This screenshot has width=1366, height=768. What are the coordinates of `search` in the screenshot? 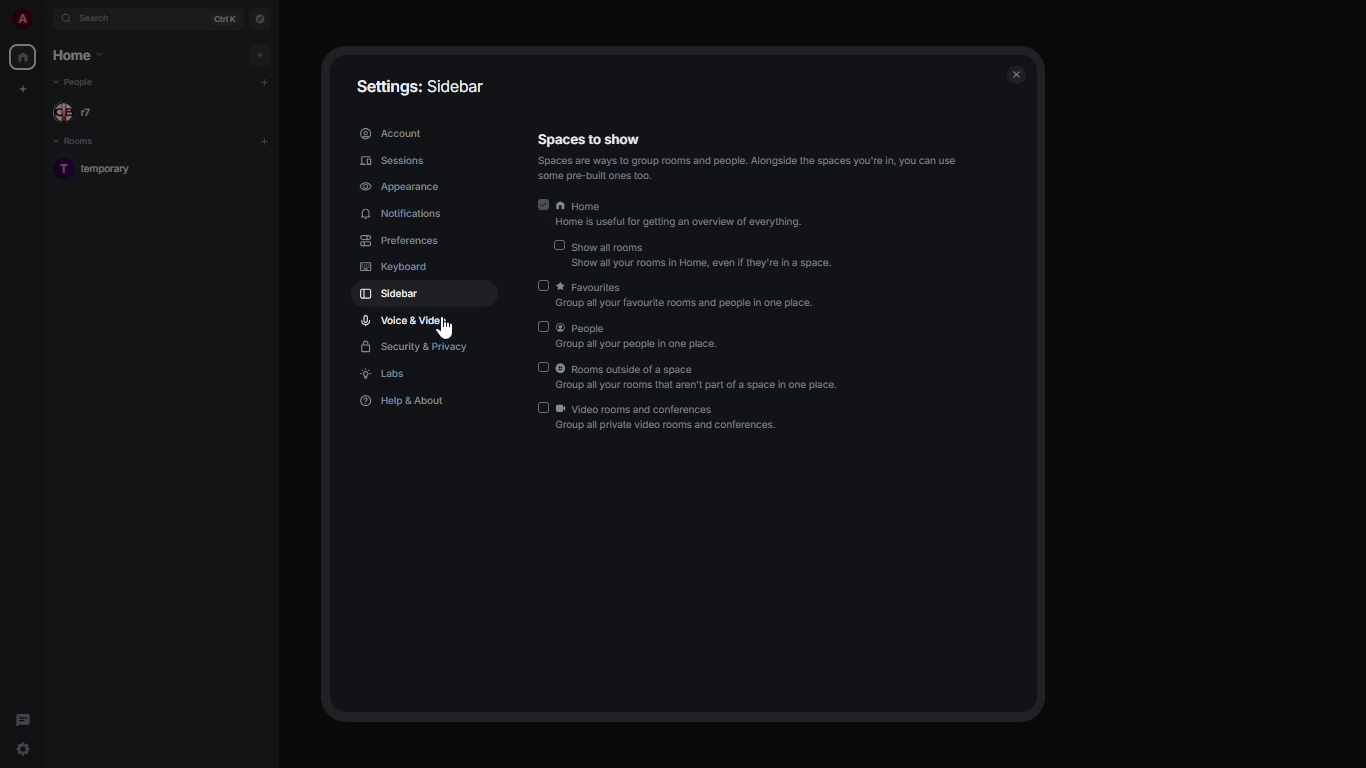 It's located at (103, 18).